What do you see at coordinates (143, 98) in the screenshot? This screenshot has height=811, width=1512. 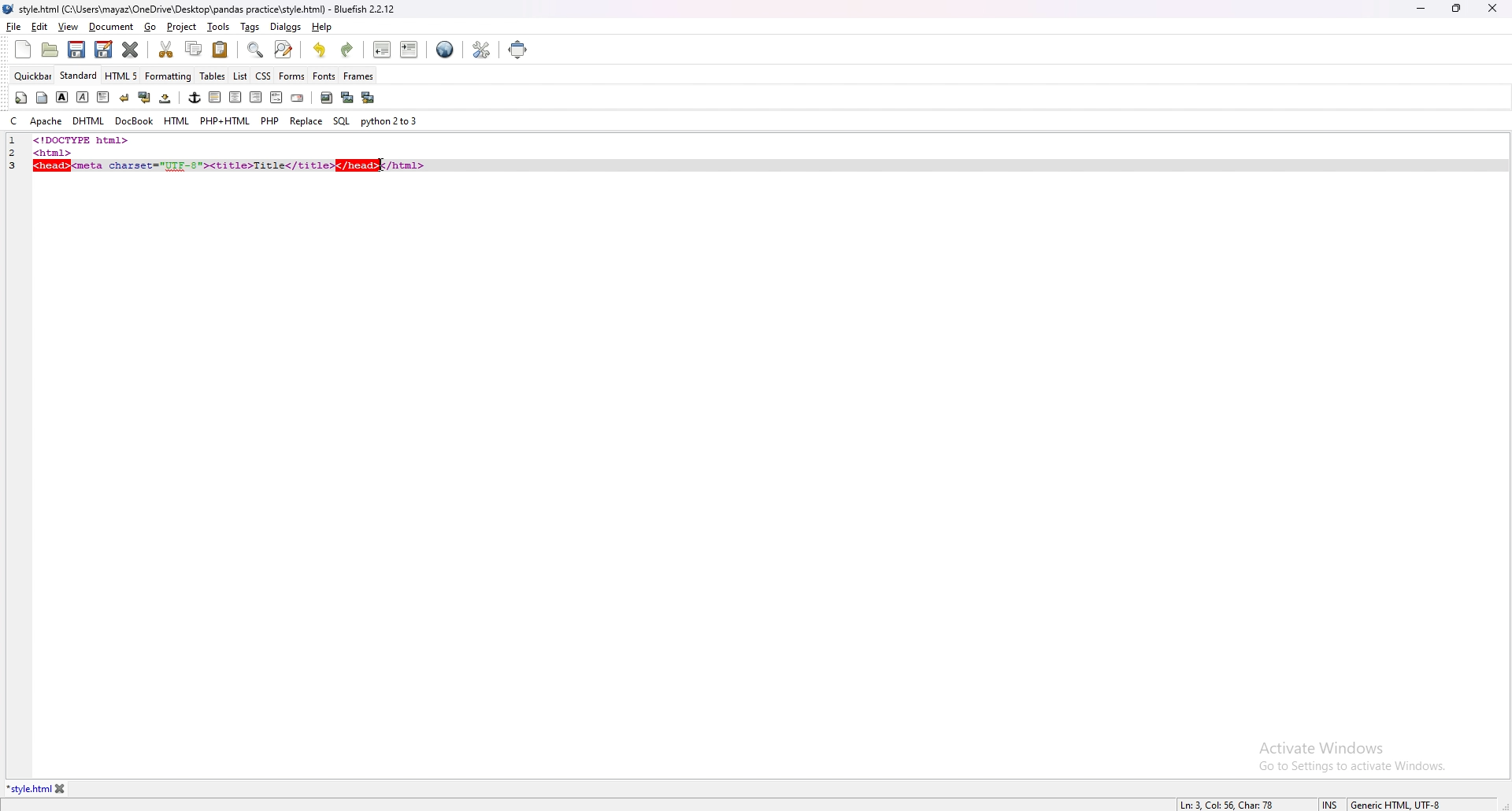 I see `break and clear` at bounding box center [143, 98].